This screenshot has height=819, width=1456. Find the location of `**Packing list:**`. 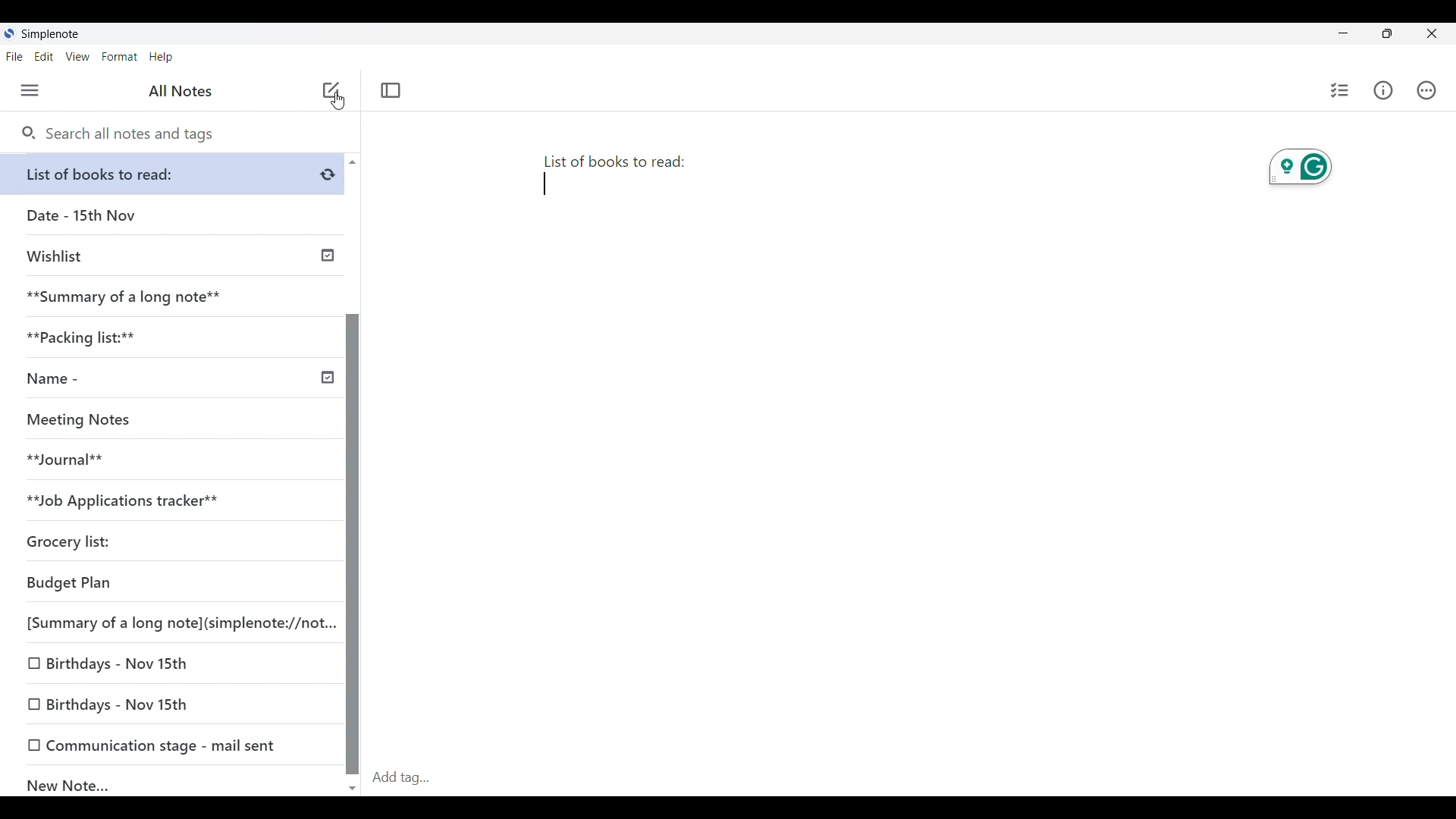

**Packing list:** is located at coordinates (174, 337).